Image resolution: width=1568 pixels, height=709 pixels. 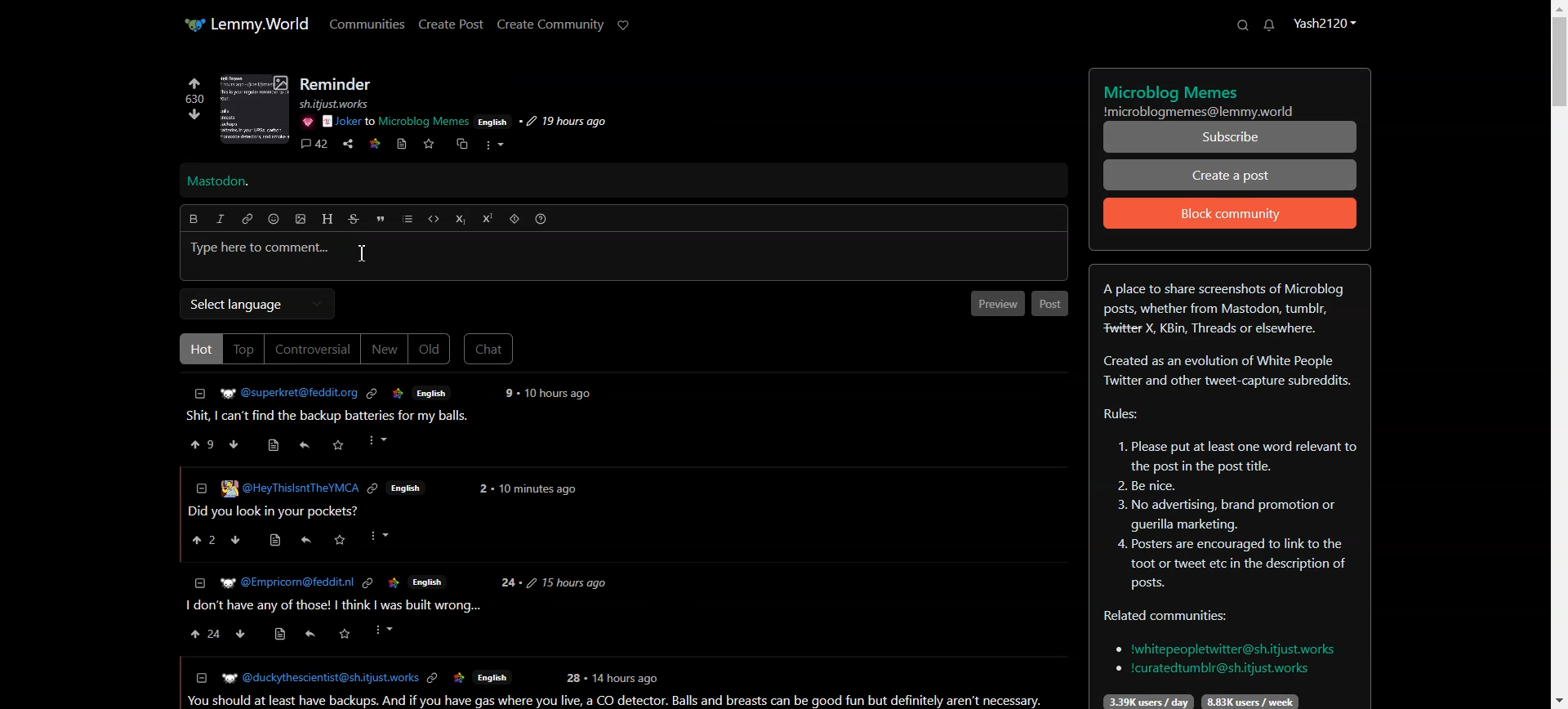 What do you see at coordinates (372, 394) in the screenshot?
I see `Link` at bounding box center [372, 394].